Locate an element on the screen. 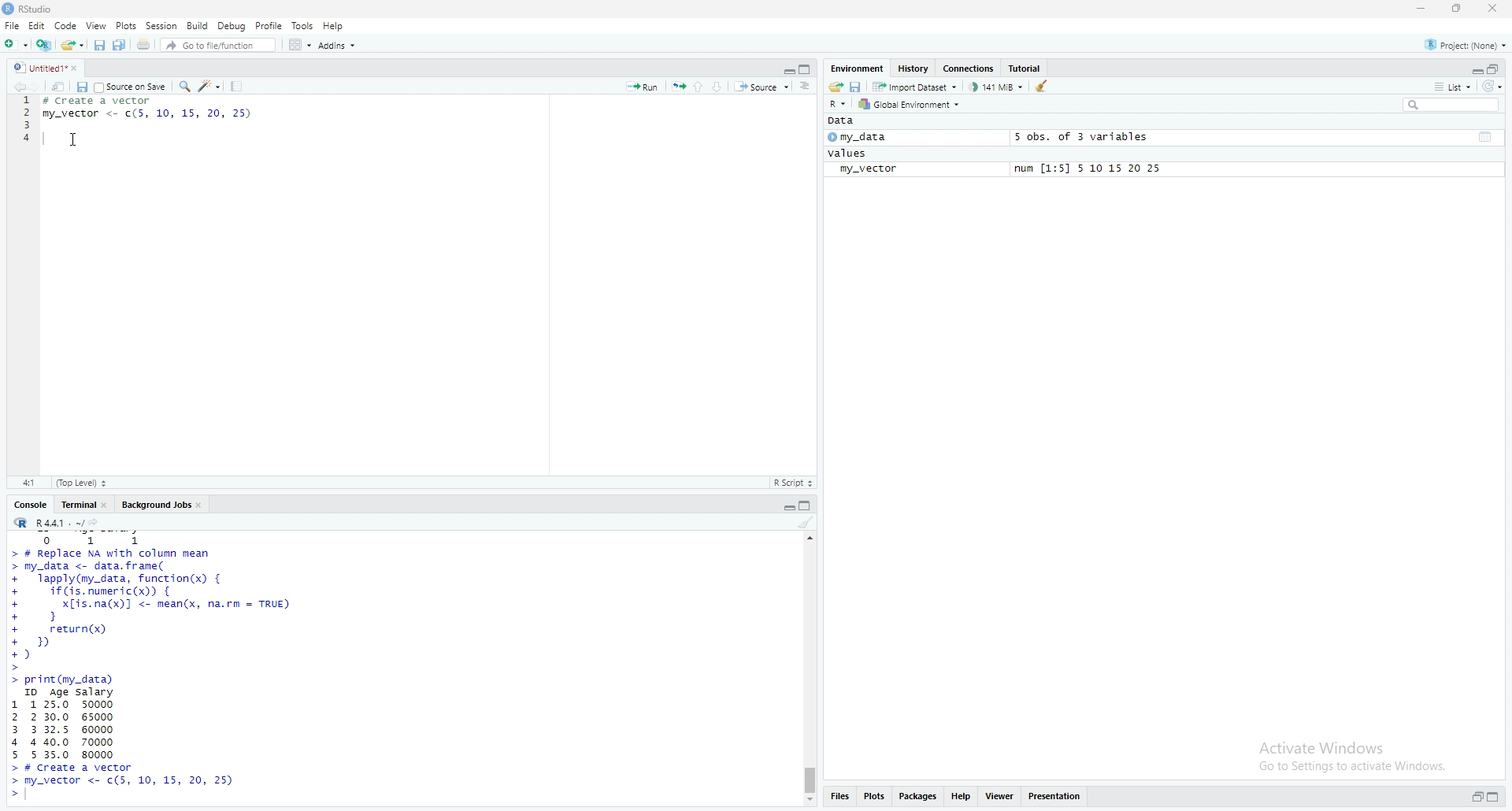 The height and width of the screenshot is (811, 1512). text curser is located at coordinates (31, 795).